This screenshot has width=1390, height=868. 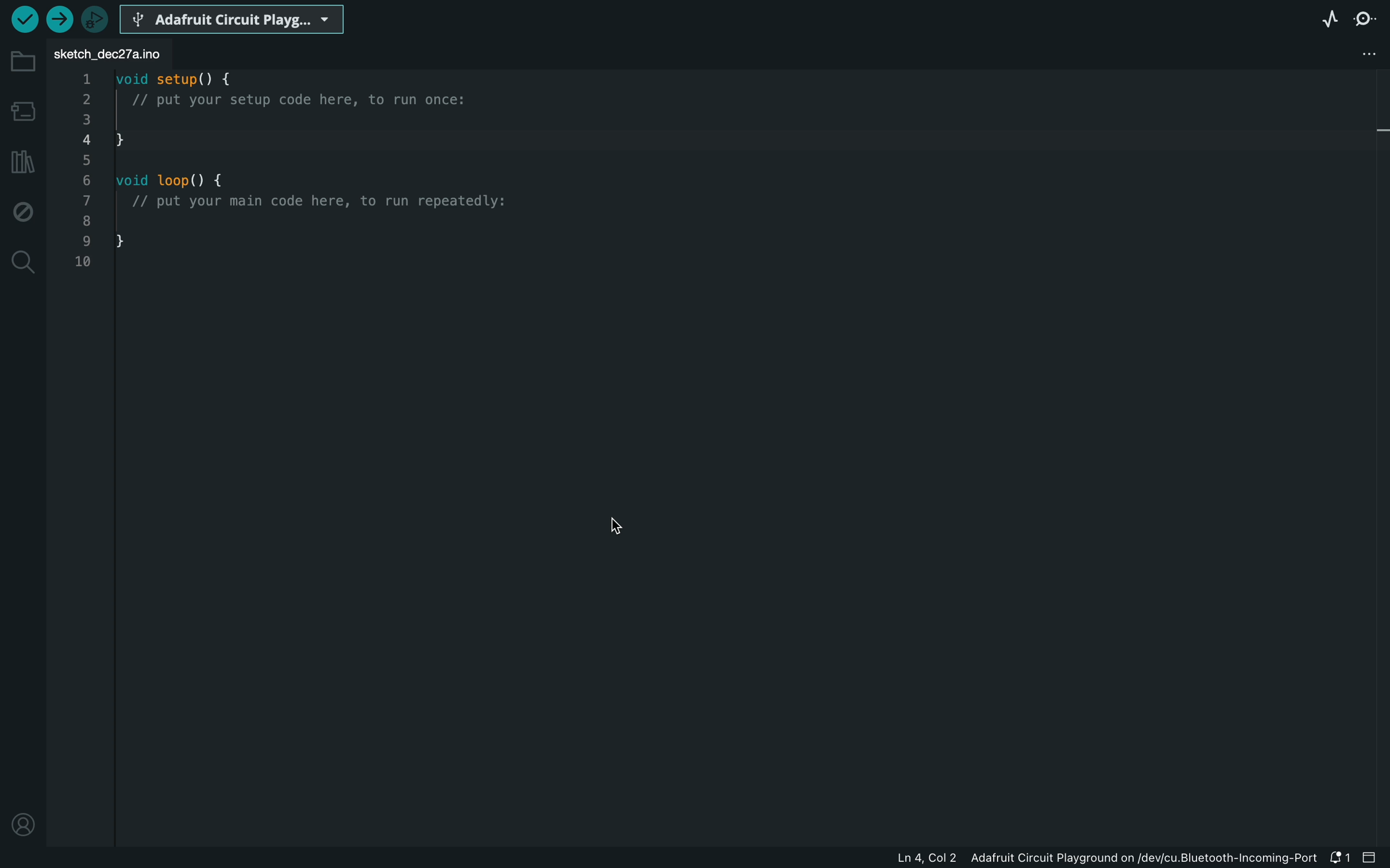 What do you see at coordinates (611, 528) in the screenshot?
I see `cursor` at bounding box center [611, 528].